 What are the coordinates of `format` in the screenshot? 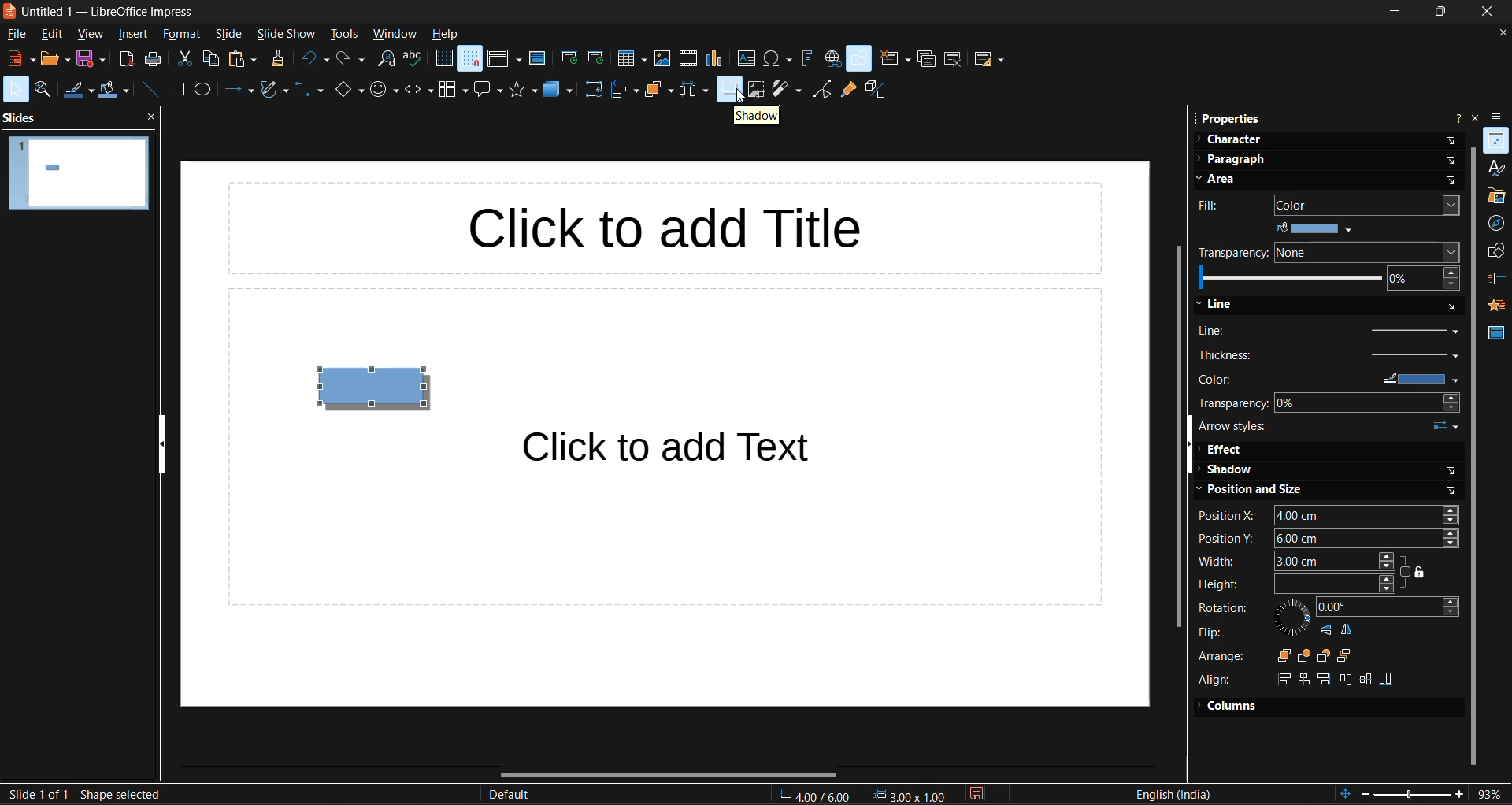 It's located at (182, 35).